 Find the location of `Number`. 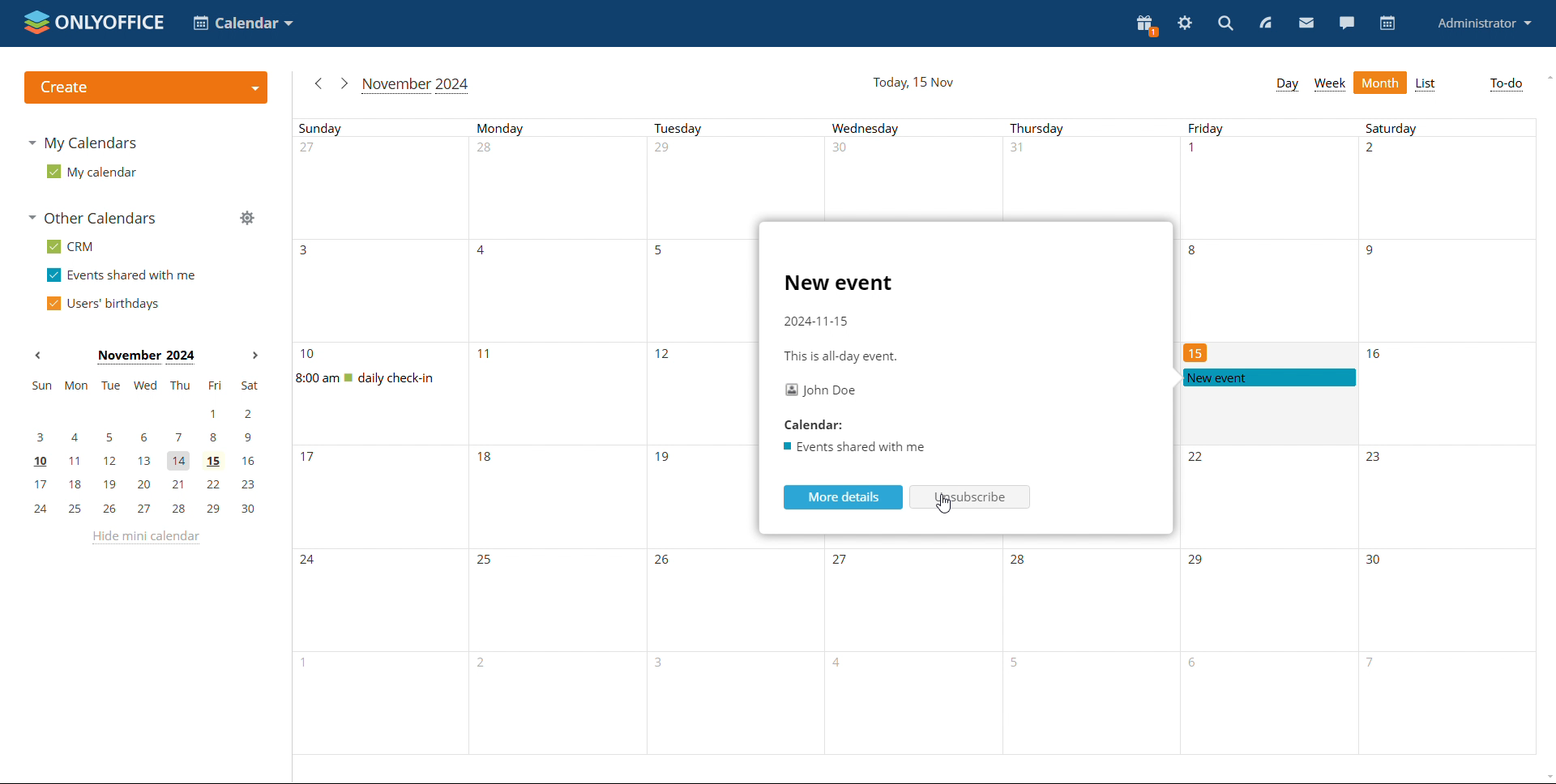

Number is located at coordinates (1196, 354).